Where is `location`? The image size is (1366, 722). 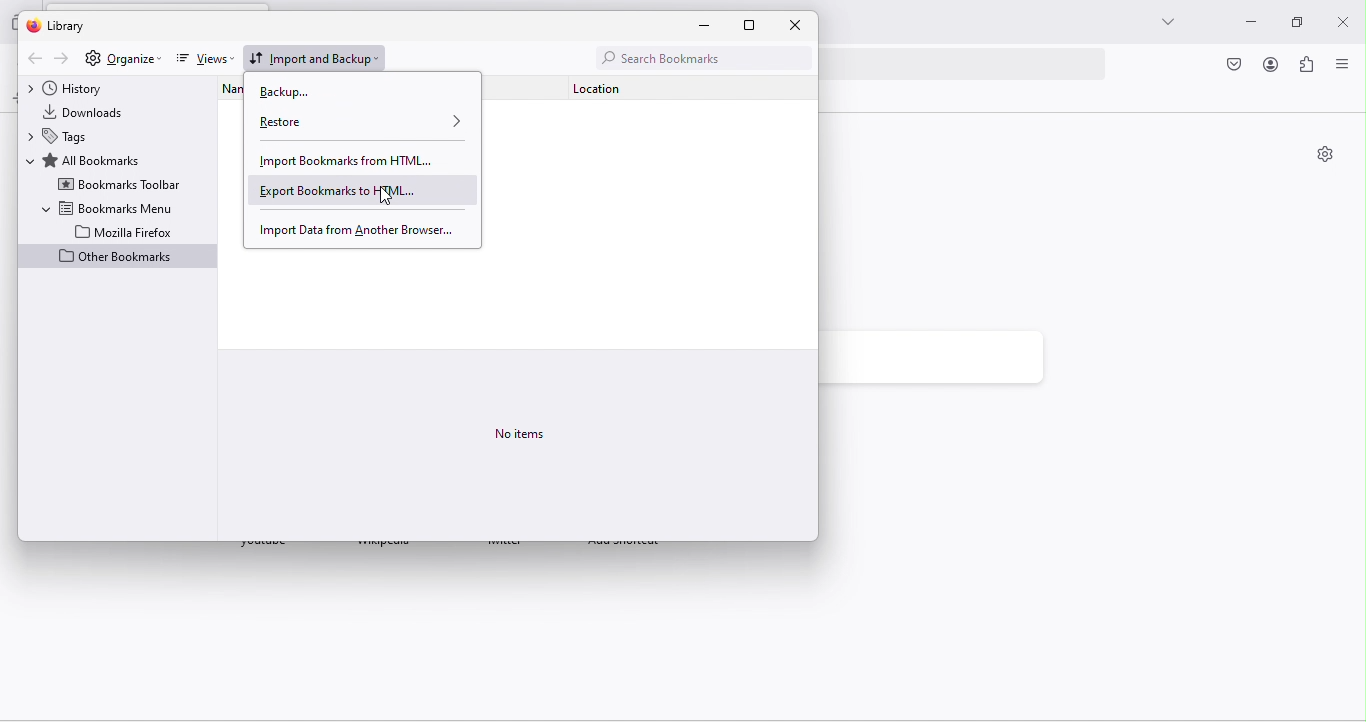
location is located at coordinates (611, 87).